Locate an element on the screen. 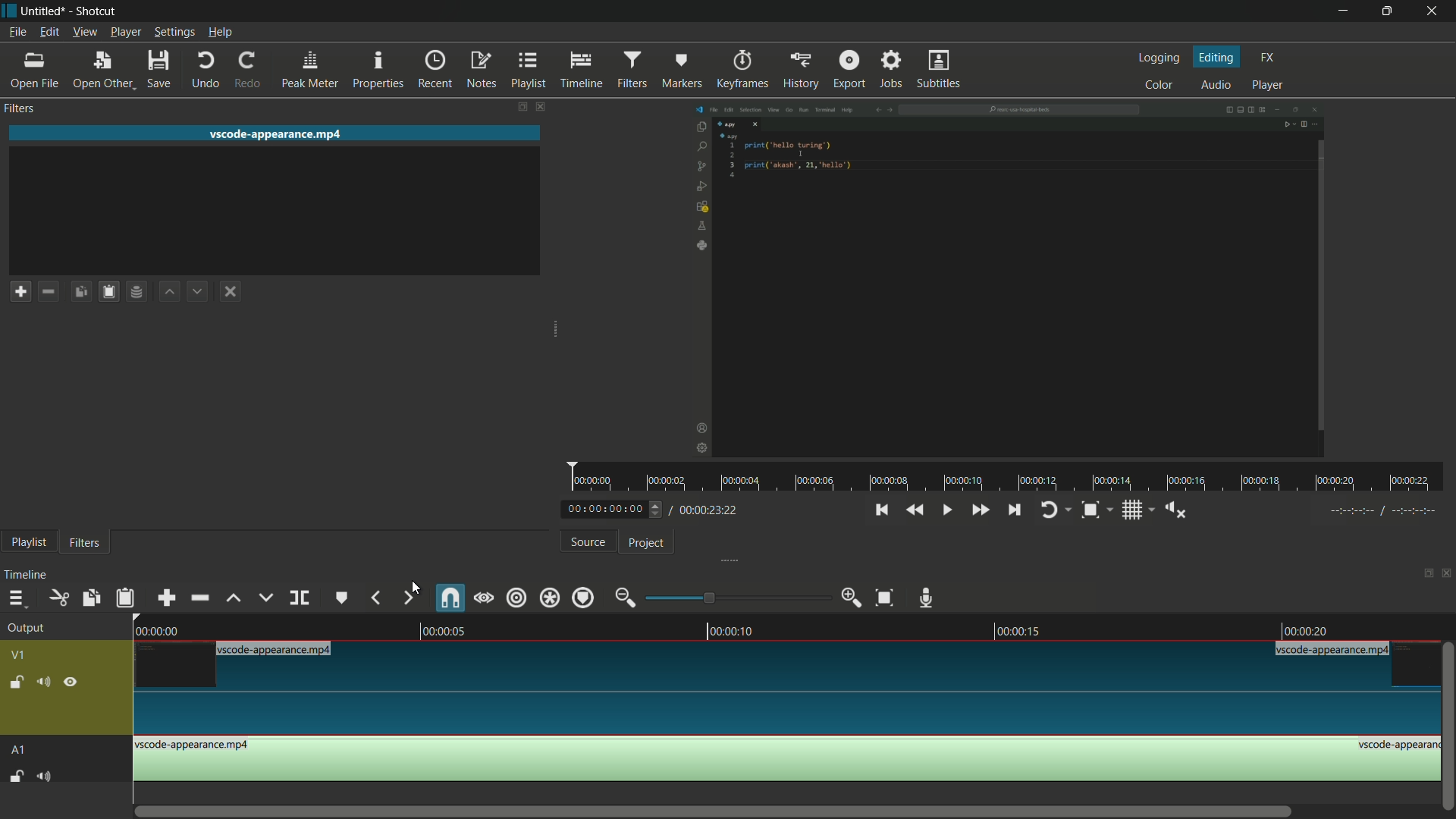 Image resolution: width=1456 pixels, height=819 pixels. cut is located at coordinates (57, 597).